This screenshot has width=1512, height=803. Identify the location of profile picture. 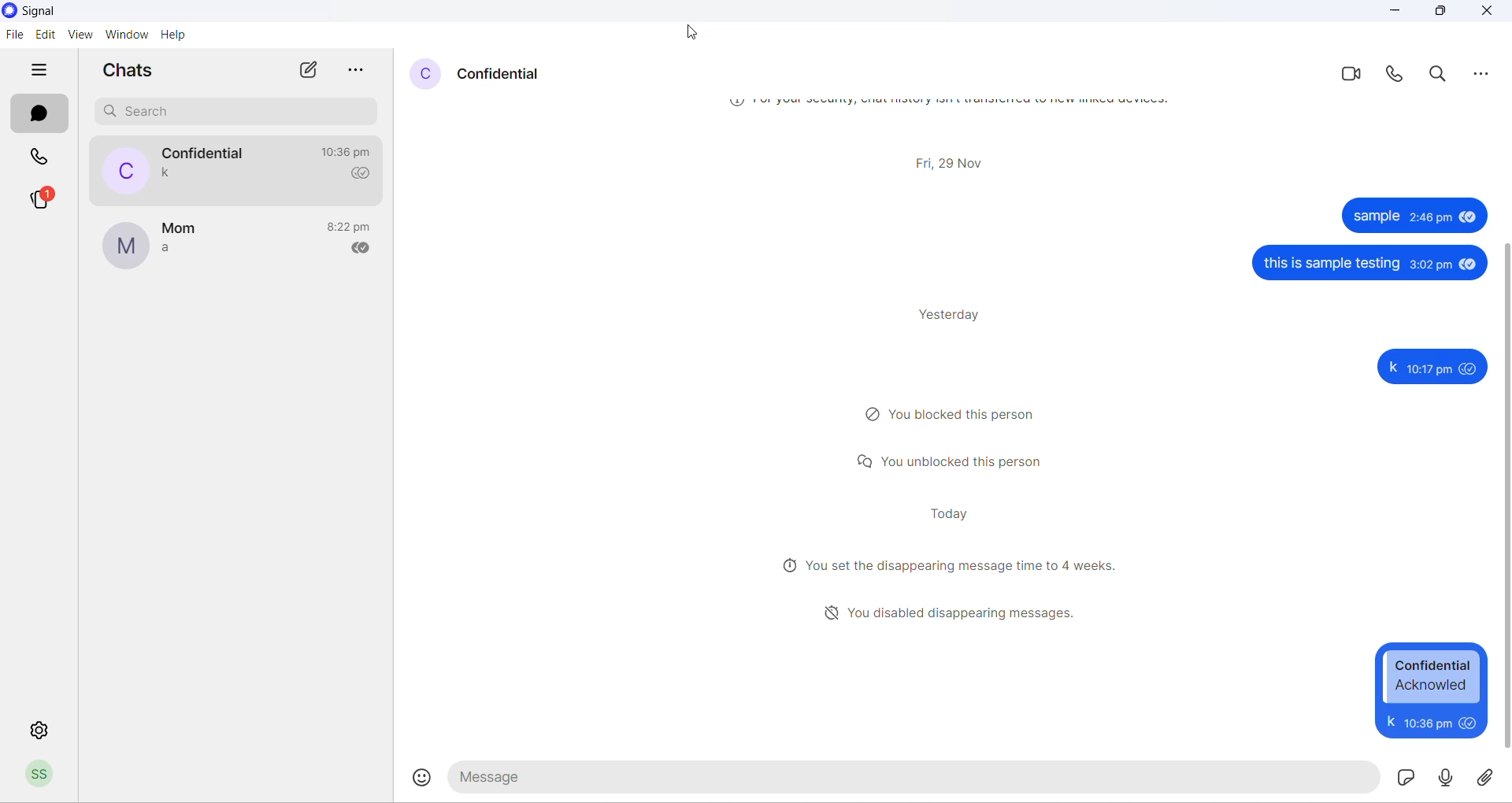
(419, 75).